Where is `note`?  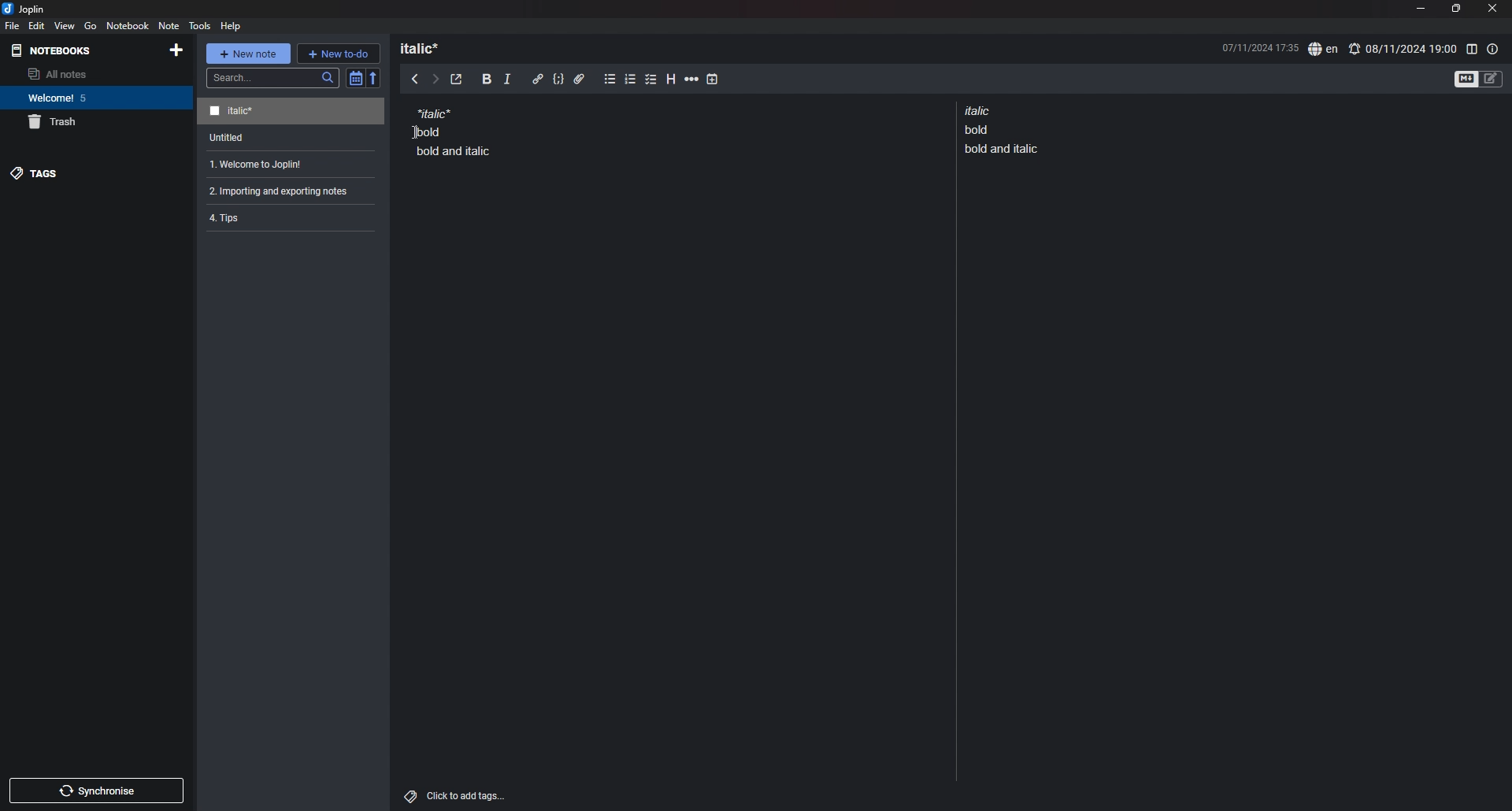
note is located at coordinates (293, 138).